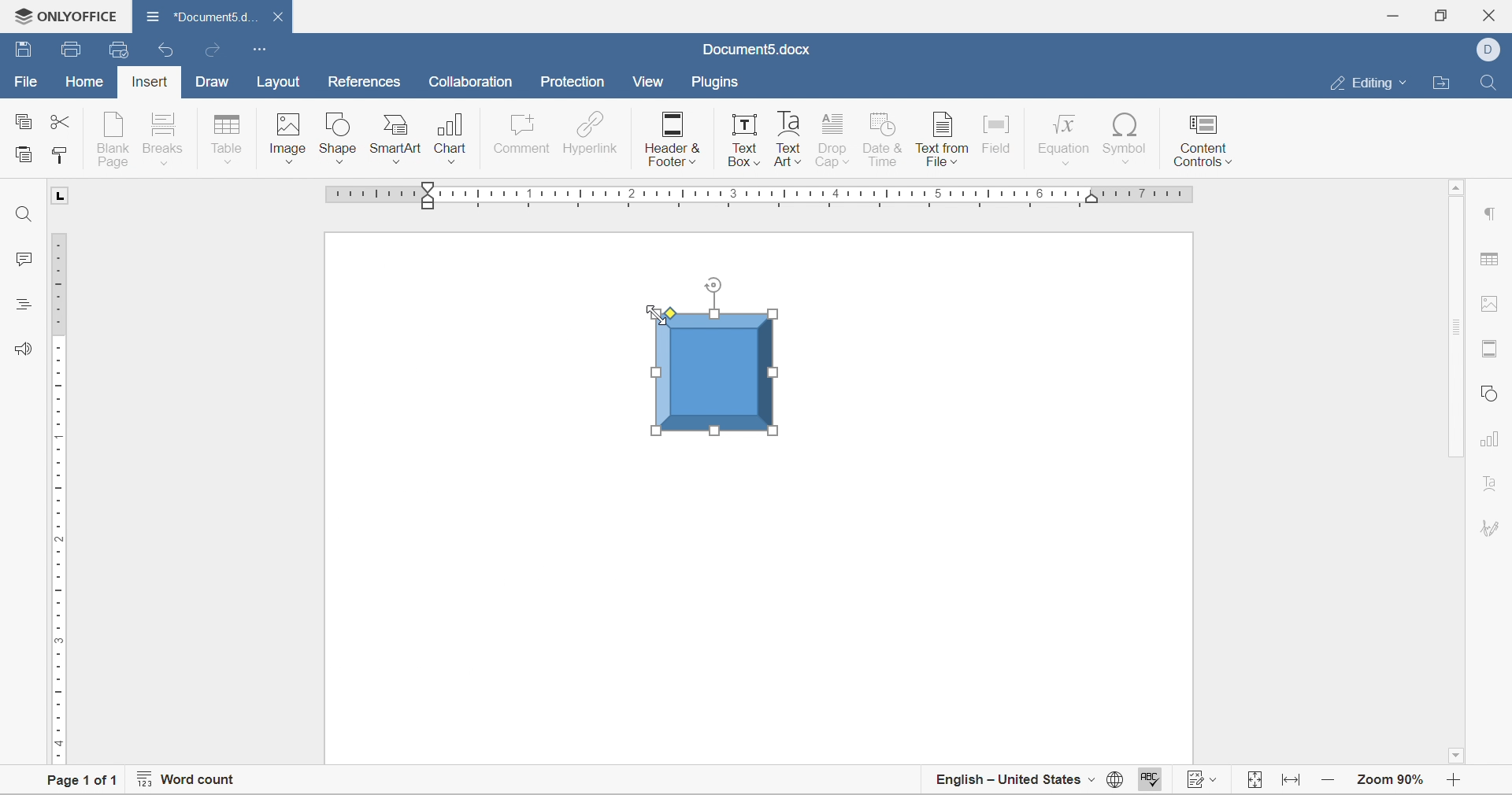 The height and width of the screenshot is (795, 1512). What do you see at coordinates (1441, 82) in the screenshot?
I see `open file location` at bounding box center [1441, 82].